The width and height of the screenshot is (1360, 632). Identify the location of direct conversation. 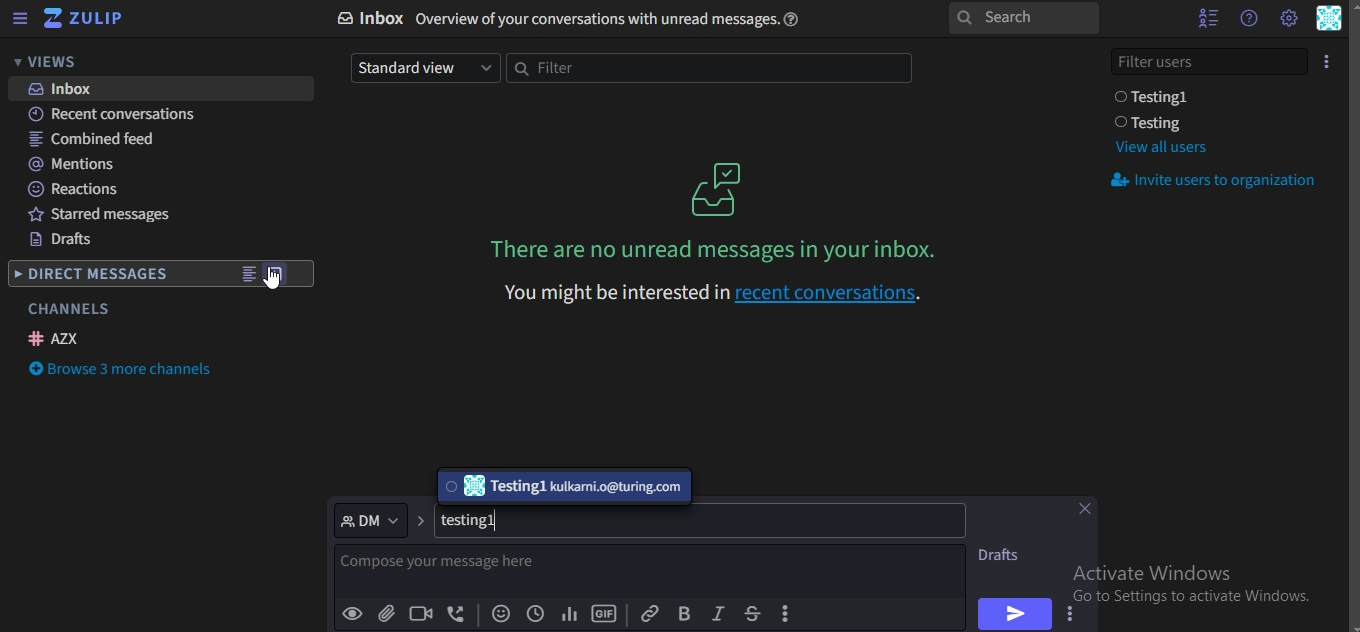
(278, 274).